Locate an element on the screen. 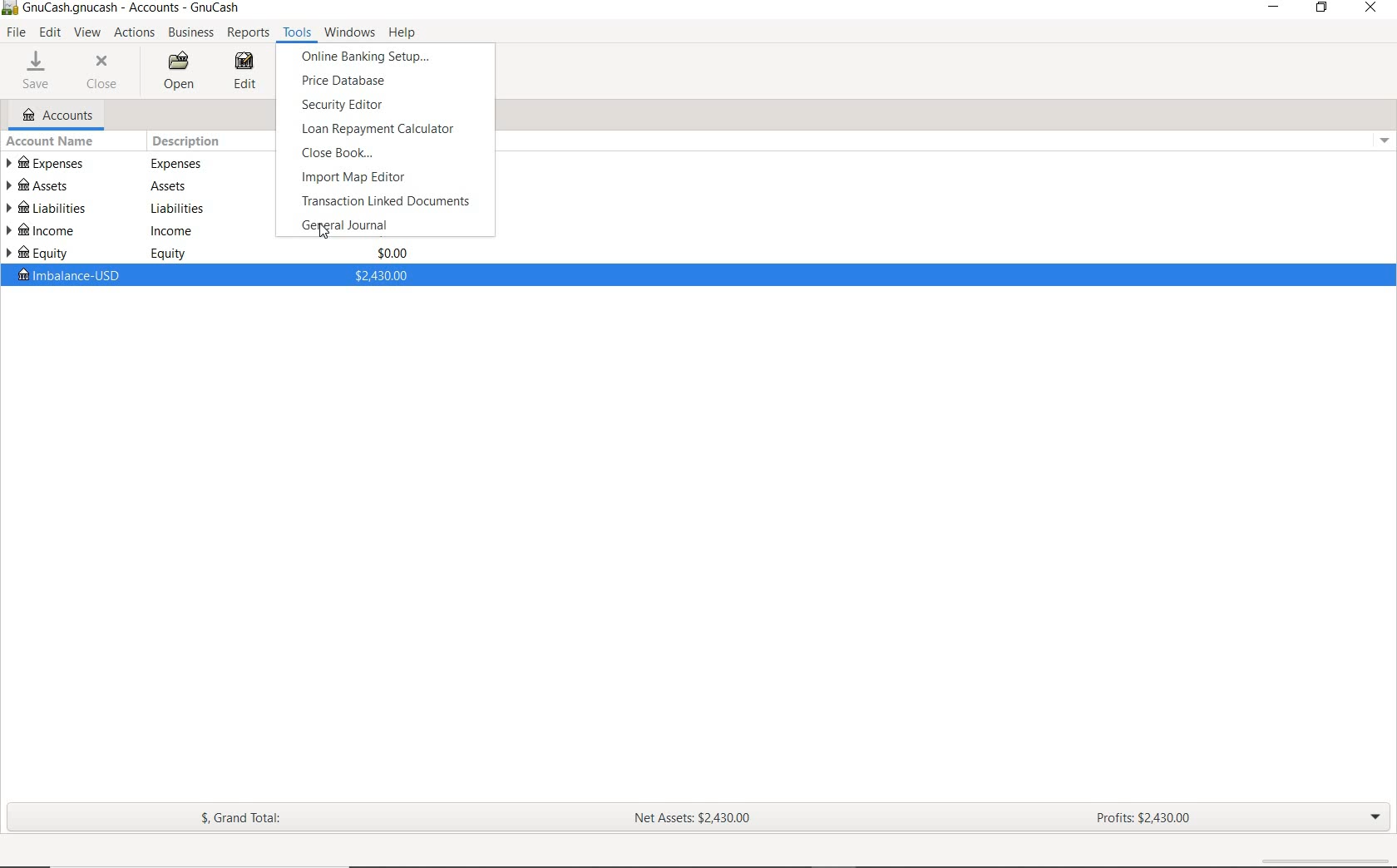 This screenshot has height=868, width=1397. OPEN is located at coordinates (180, 72).